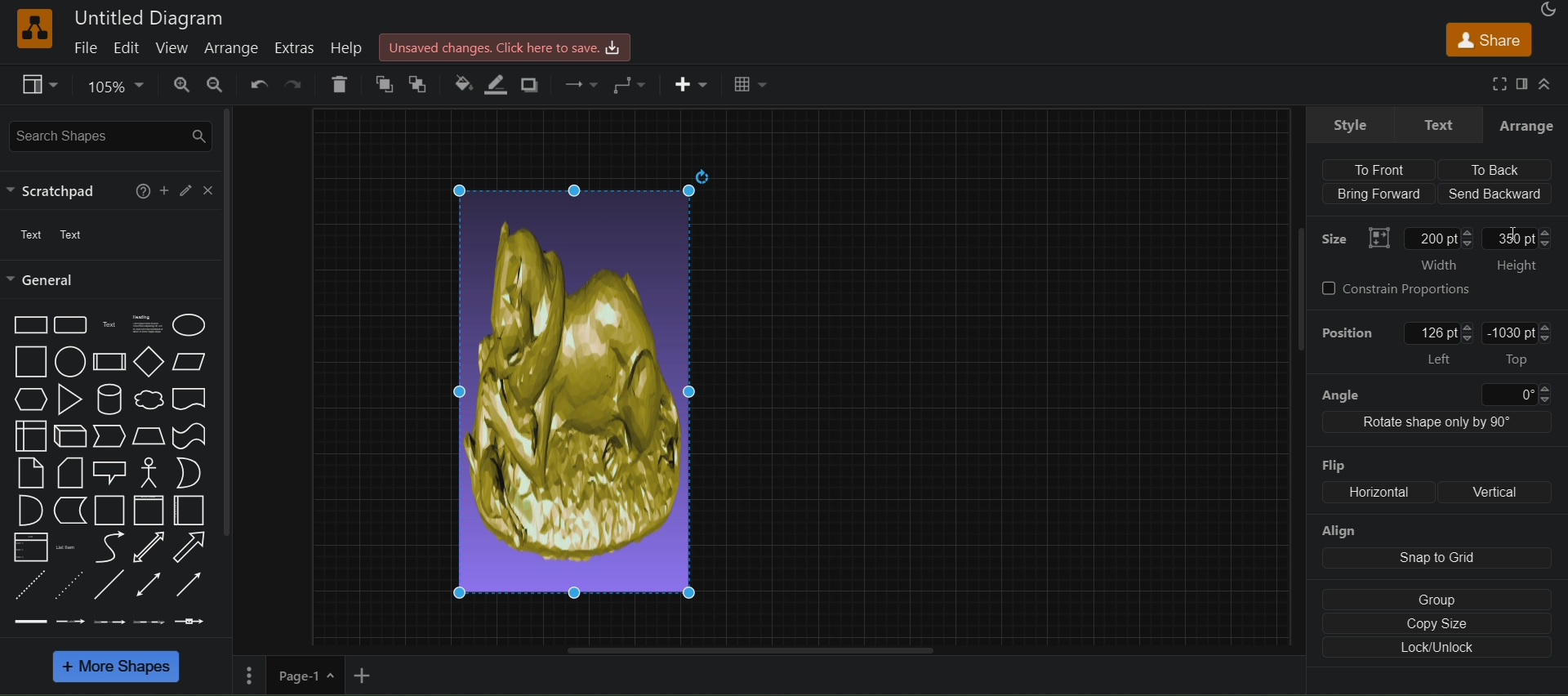  What do you see at coordinates (1442, 344) in the screenshot?
I see `position: left: 126 pt` at bounding box center [1442, 344].